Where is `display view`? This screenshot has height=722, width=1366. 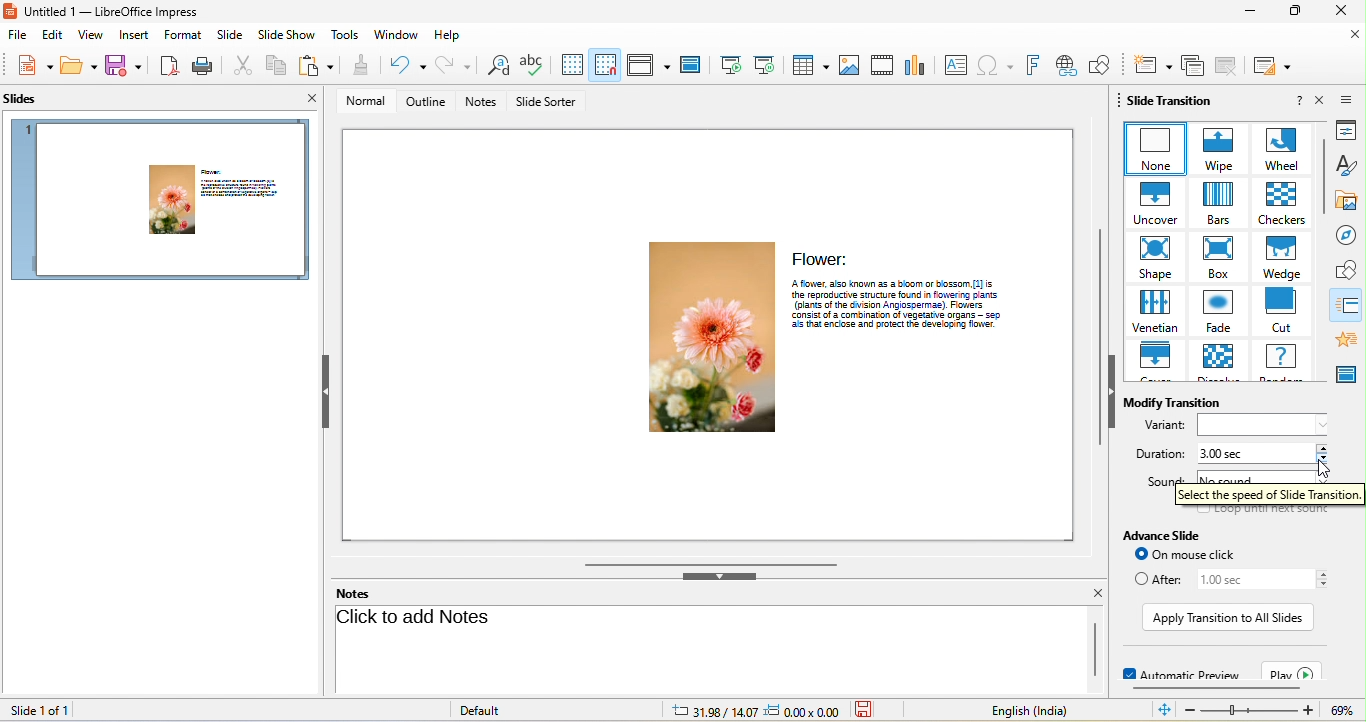
display view is located at coordinates (648, 65).